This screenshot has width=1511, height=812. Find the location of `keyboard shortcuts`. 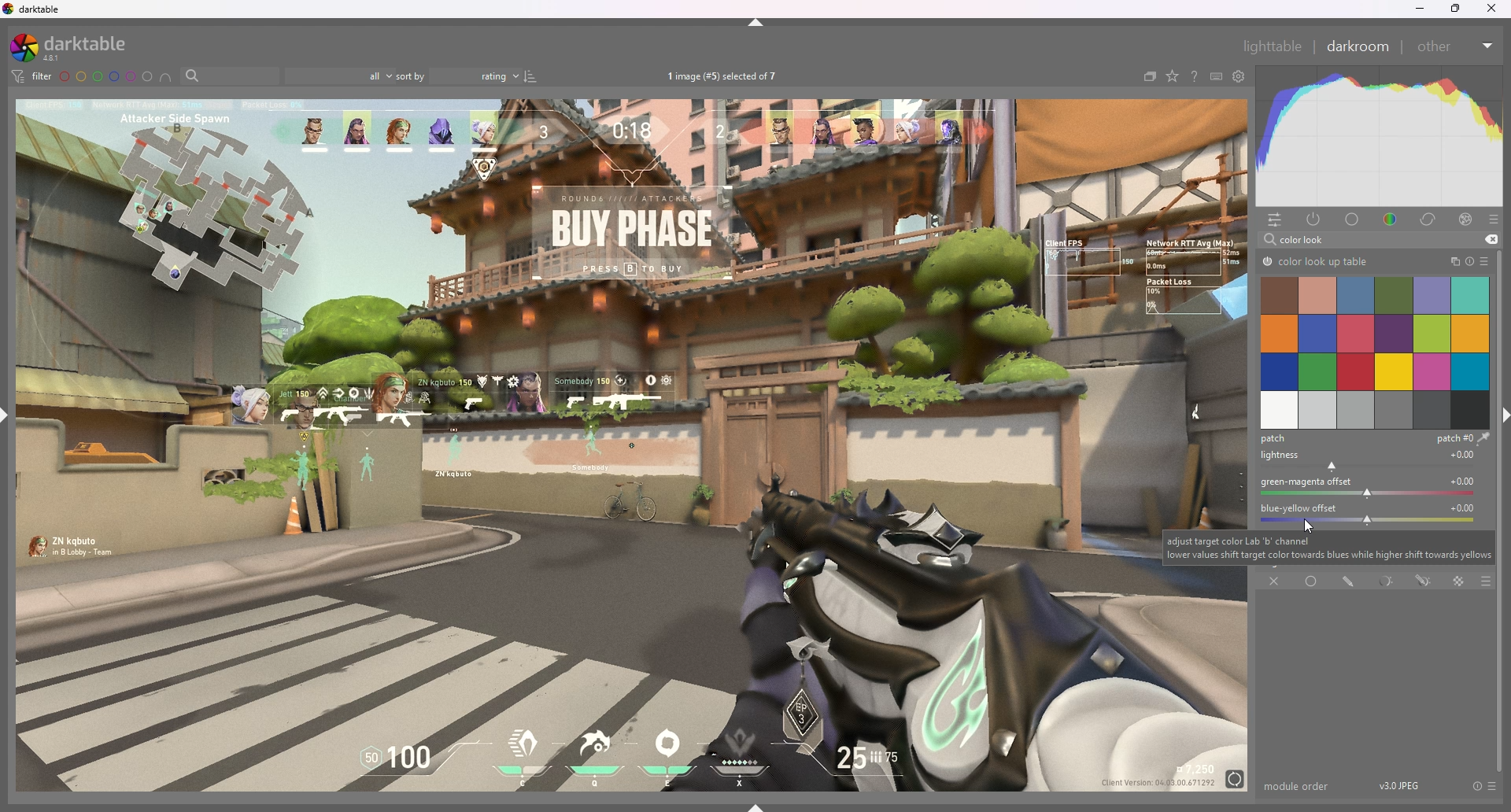

keyboard shortcuts is located at coordinates (1217, 76).